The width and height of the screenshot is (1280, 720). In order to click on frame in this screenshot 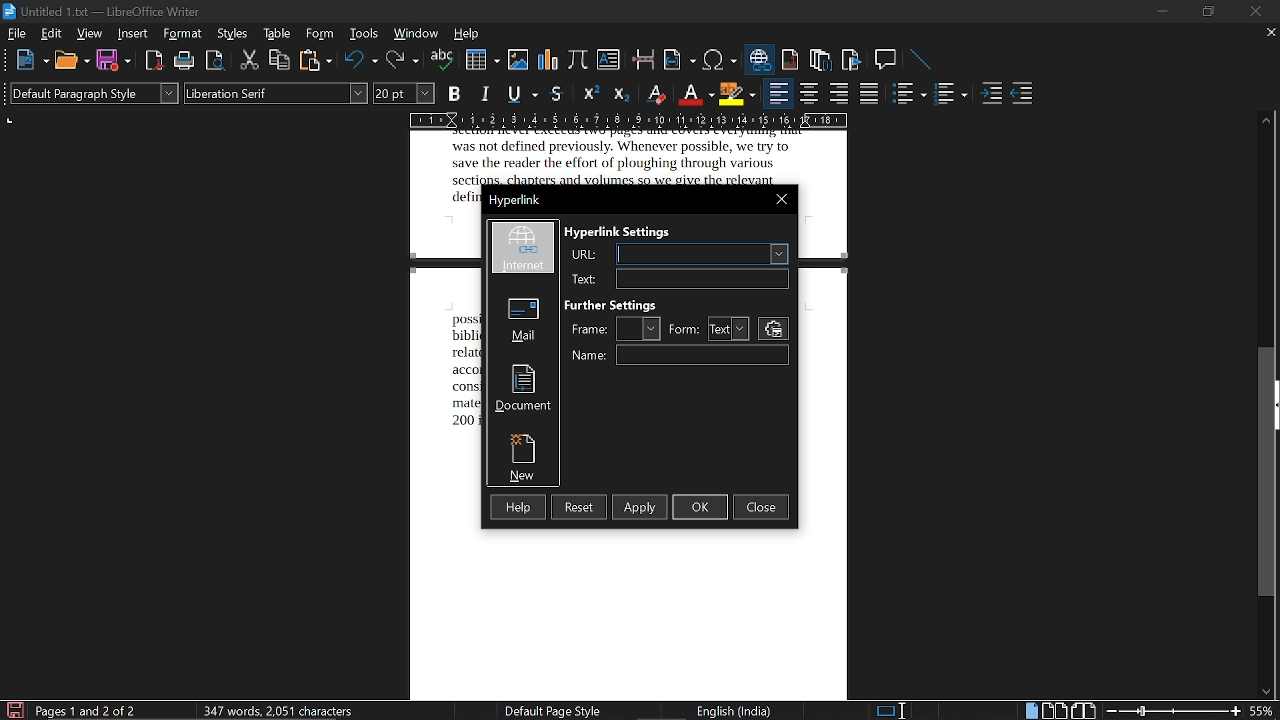, I will do `click(590, 331)`.